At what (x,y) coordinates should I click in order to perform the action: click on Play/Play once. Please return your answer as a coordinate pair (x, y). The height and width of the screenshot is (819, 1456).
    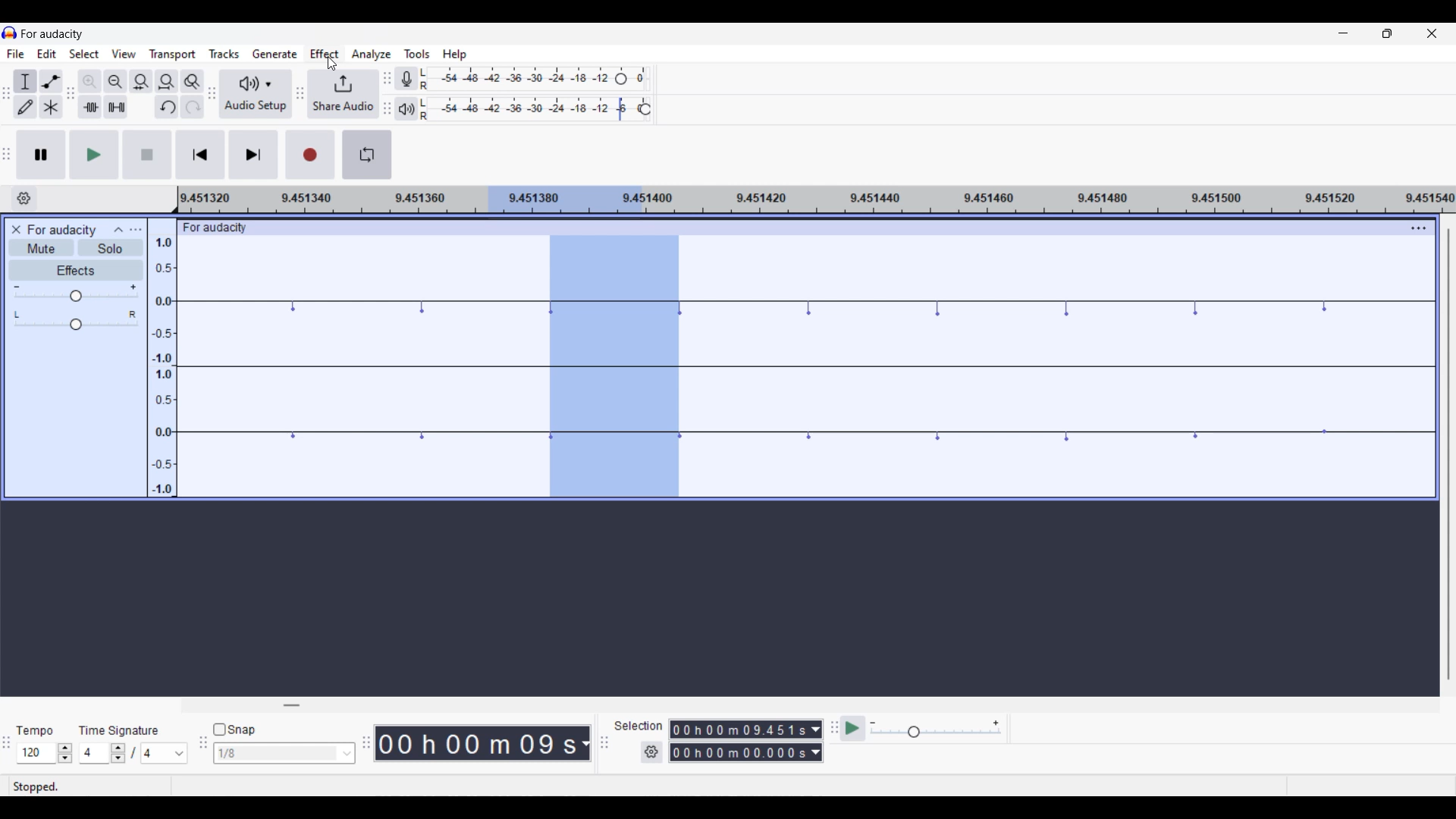
    Looking at the image, I should click on (94, 155).